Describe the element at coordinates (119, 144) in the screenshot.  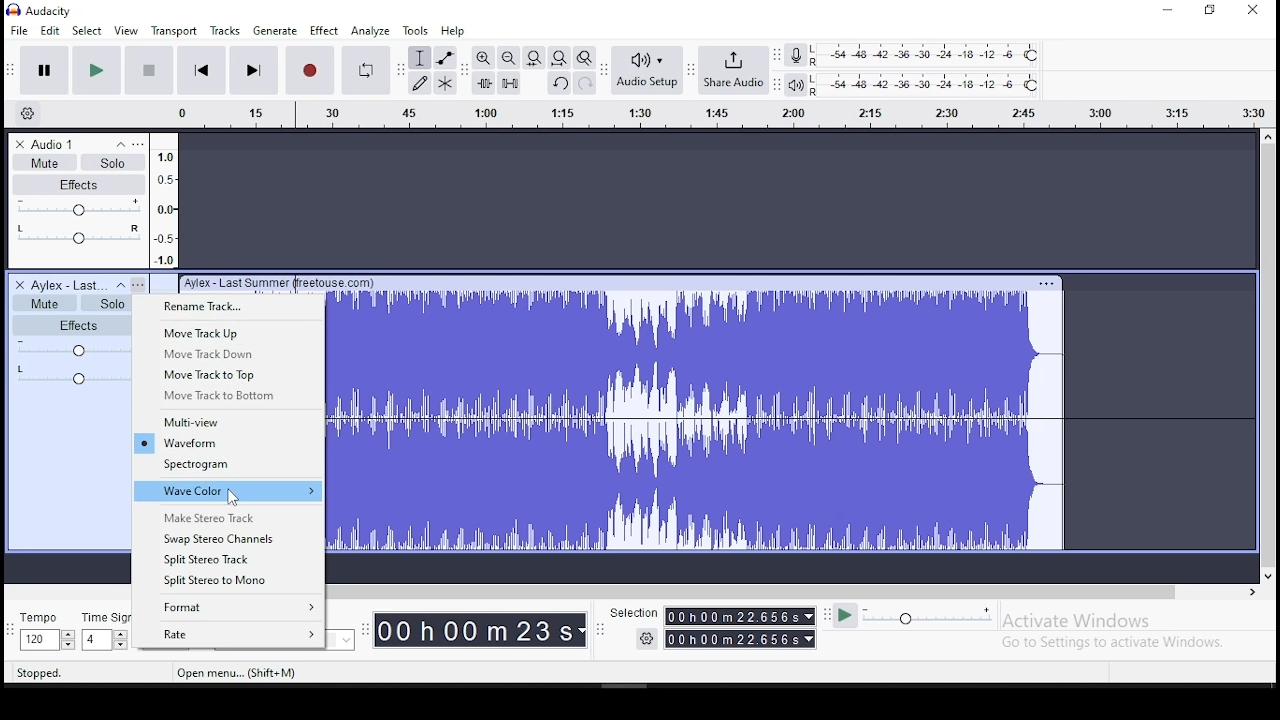
I see `collapse` at that location.